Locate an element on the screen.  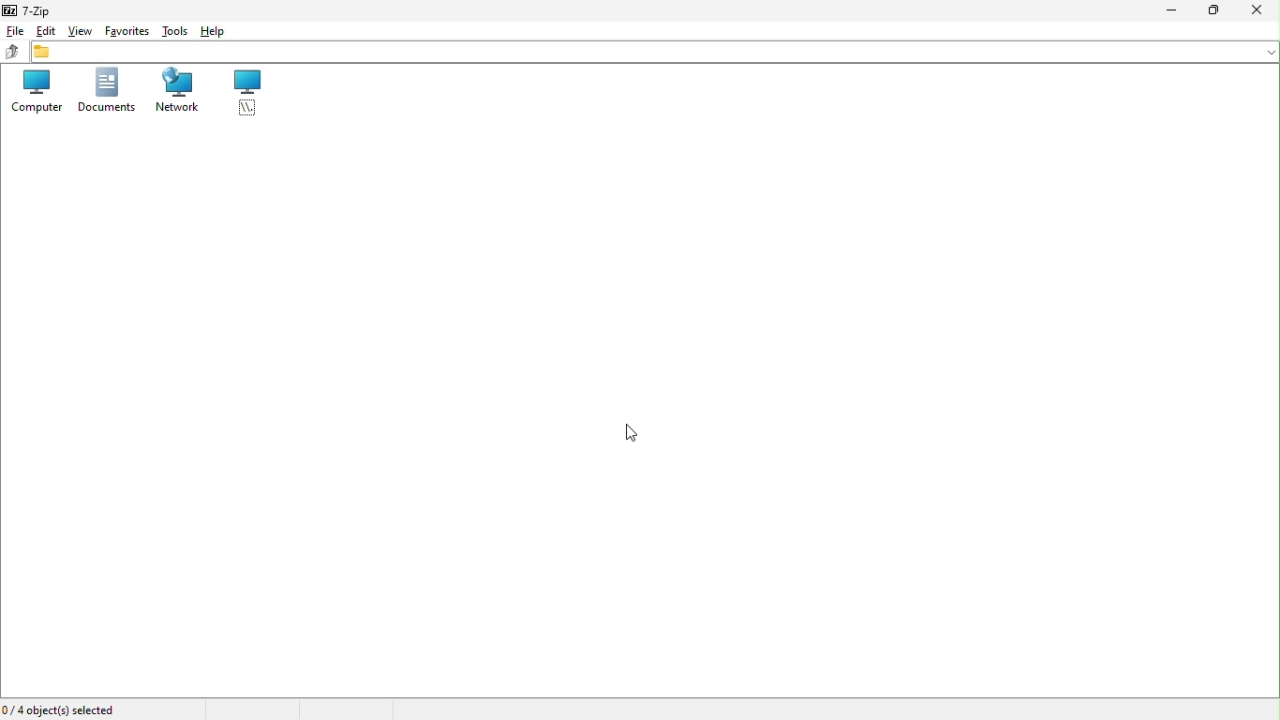
Mouse is located at coordinates (627, 434).